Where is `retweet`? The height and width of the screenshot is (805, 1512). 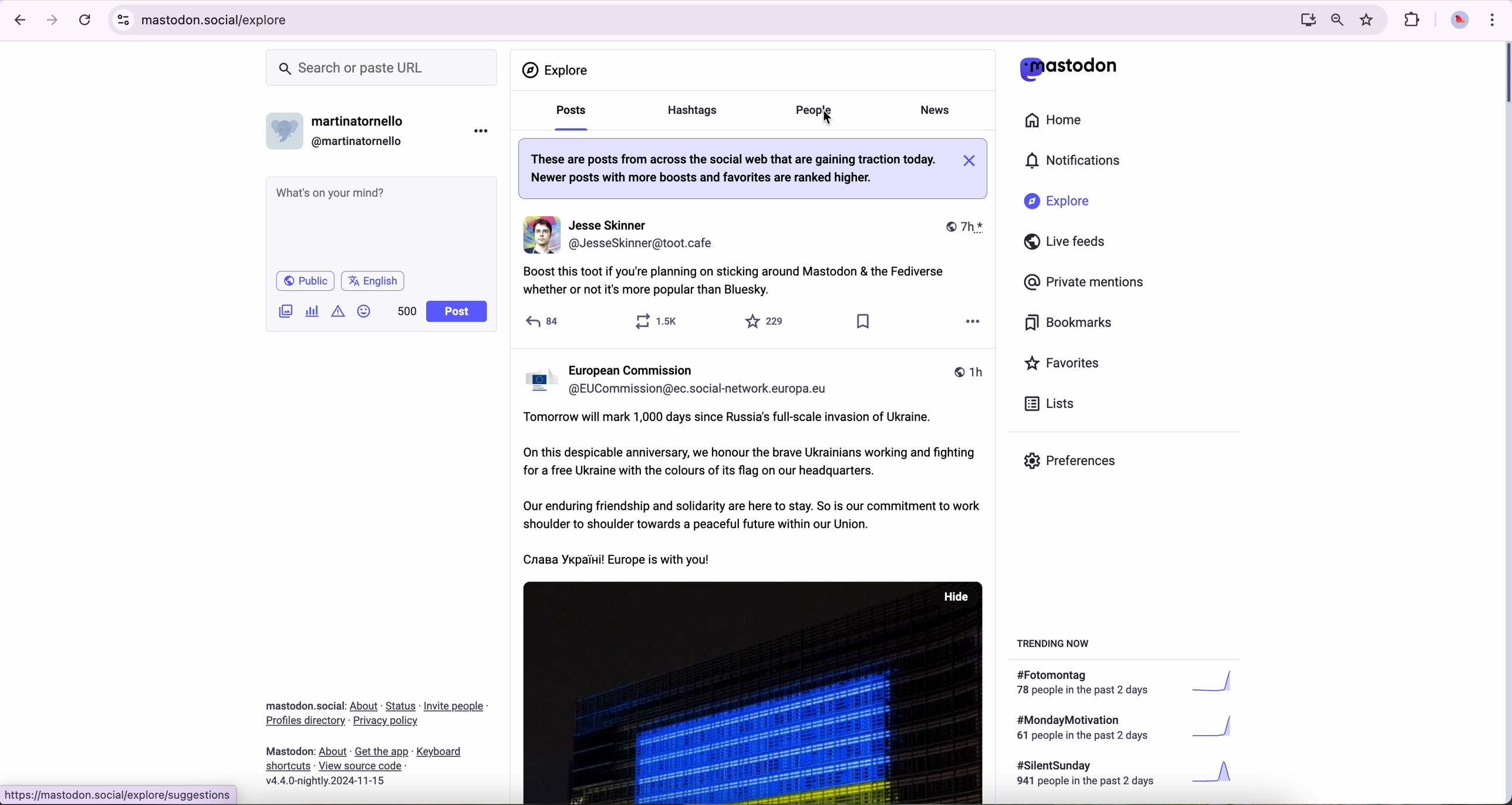 retweet is located at coordinates (662, 320).